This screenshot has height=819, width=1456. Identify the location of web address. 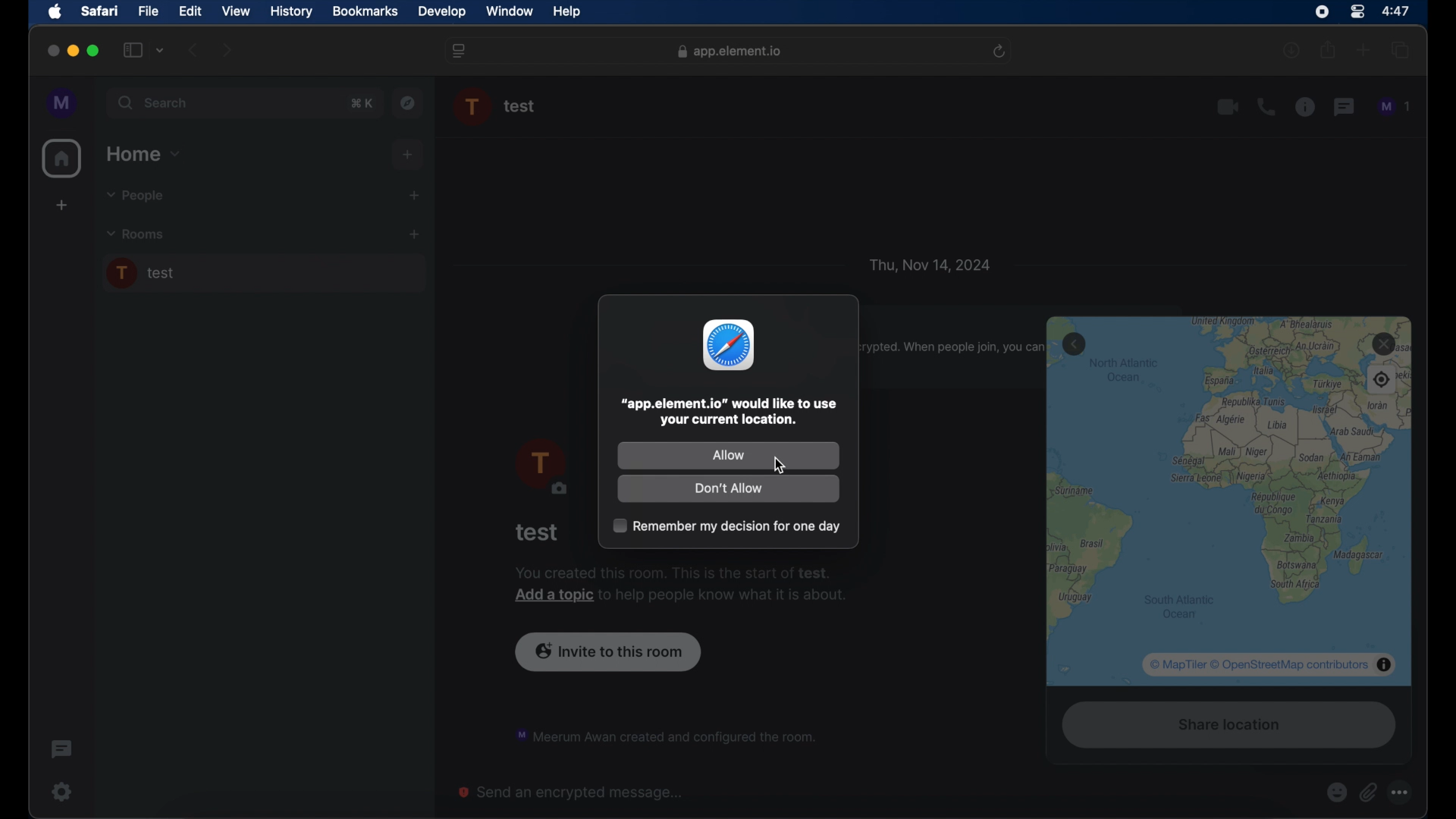
(730, 51).